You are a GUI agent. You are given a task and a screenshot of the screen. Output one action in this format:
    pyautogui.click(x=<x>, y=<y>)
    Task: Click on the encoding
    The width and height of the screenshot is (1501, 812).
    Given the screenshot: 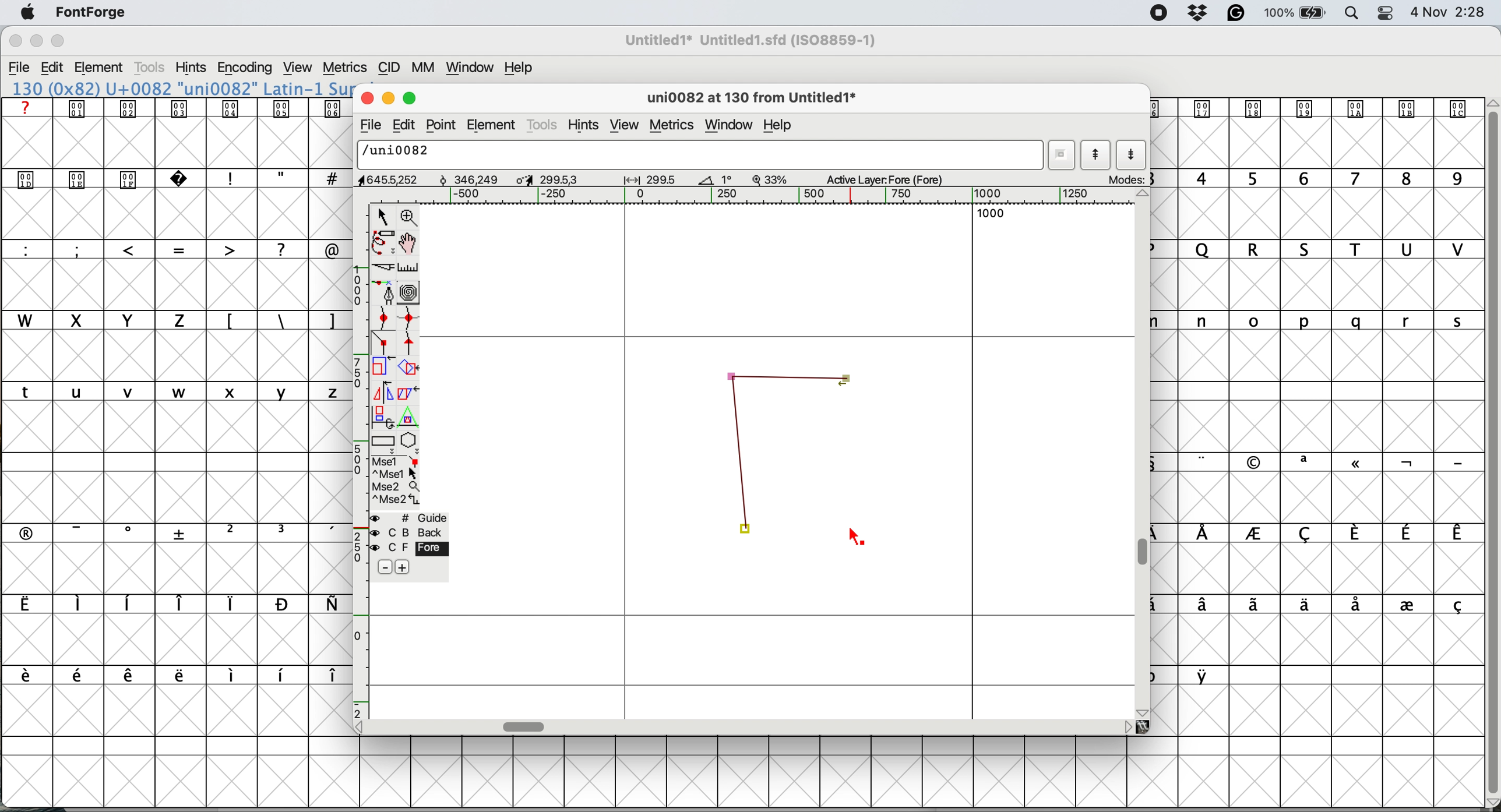 What is the action you would take?
    pyautogui.click(x=246, y=68)
    